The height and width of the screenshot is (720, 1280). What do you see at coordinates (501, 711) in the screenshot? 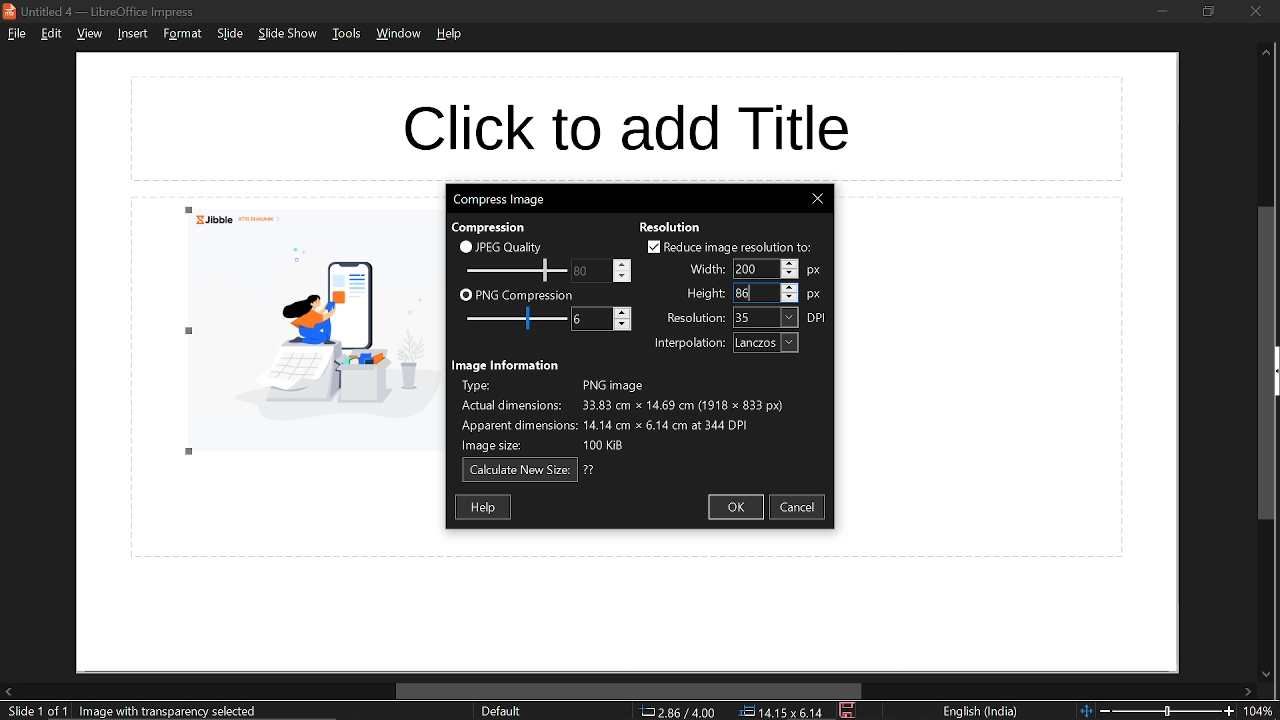
I see `slide style` at bounding box center [501, 711].